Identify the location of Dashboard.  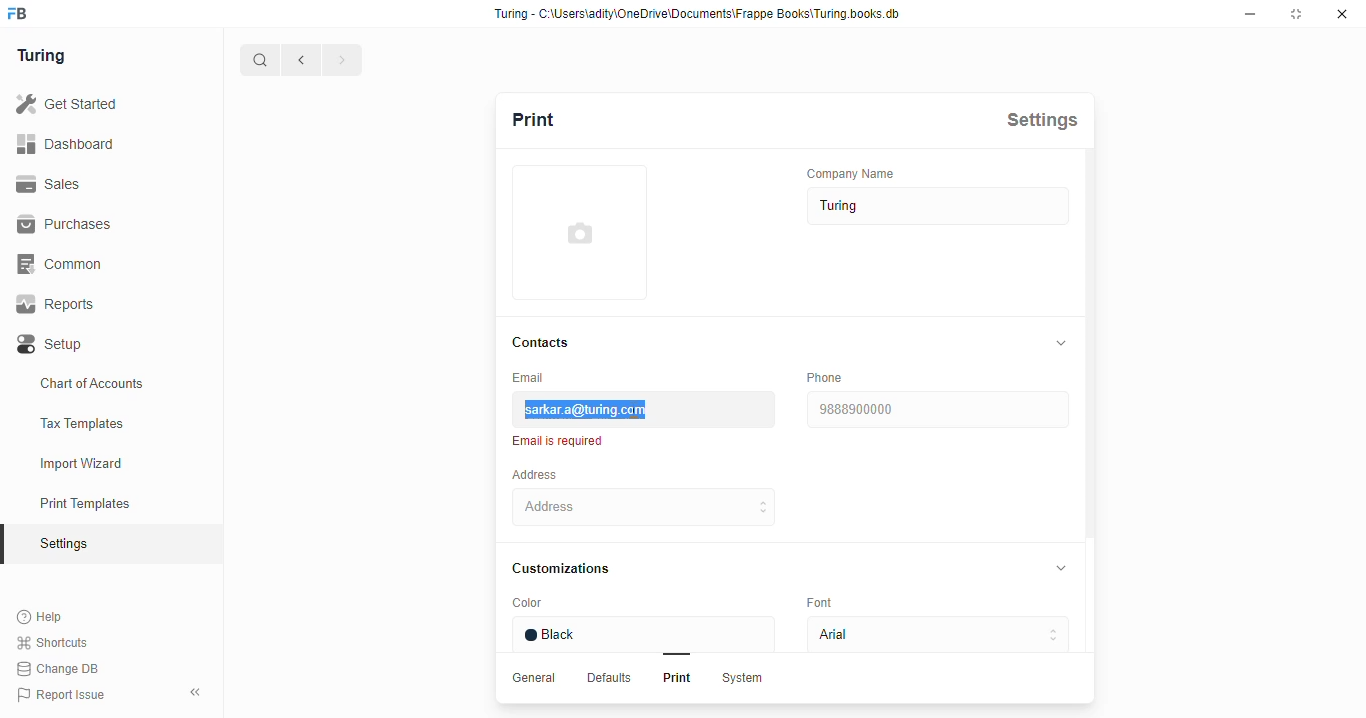
(71, 143).